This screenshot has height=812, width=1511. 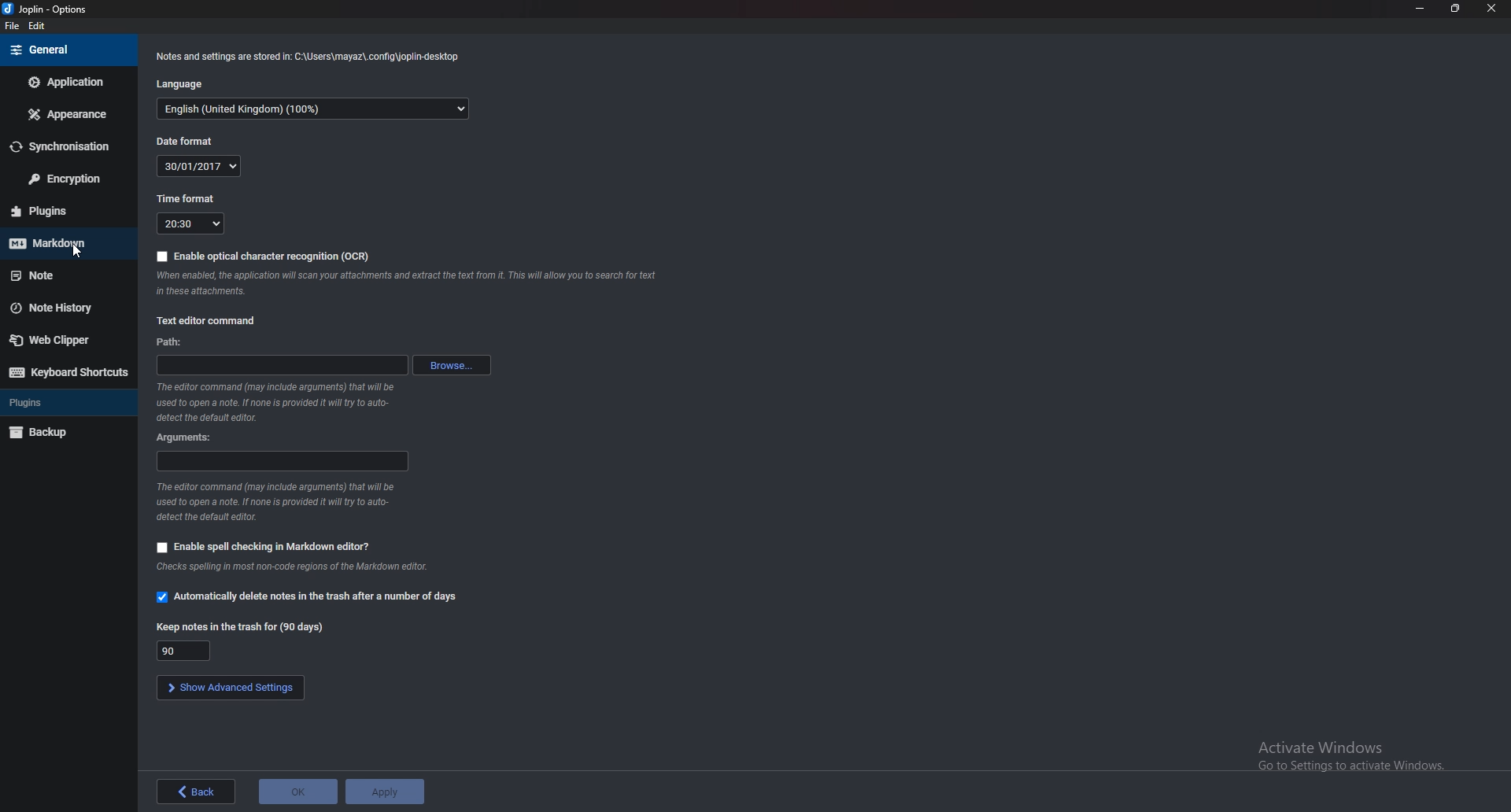 I want to click on Keyboard shortcuts, so click(x=70, y=371).